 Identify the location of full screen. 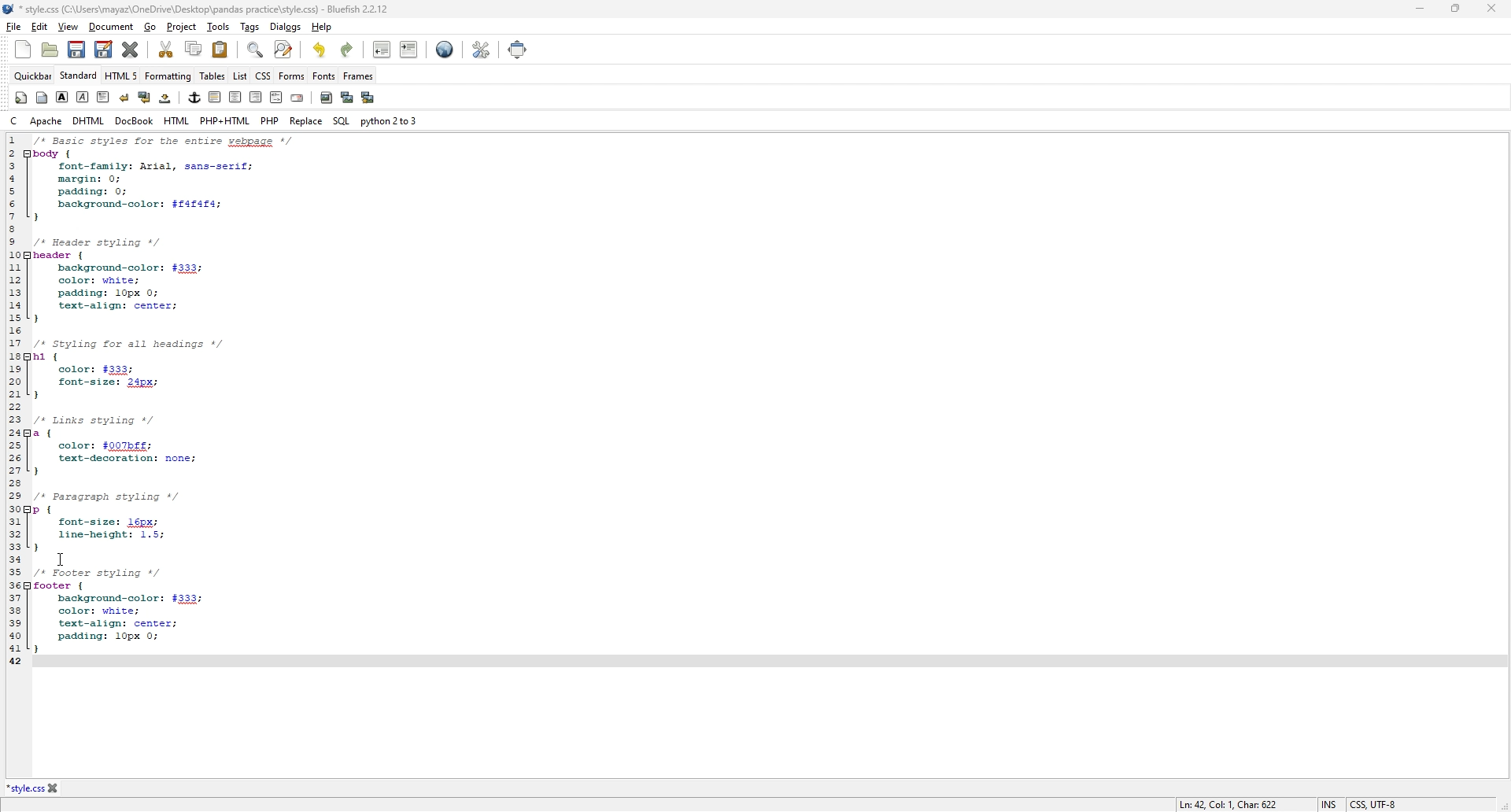
(517, 49).